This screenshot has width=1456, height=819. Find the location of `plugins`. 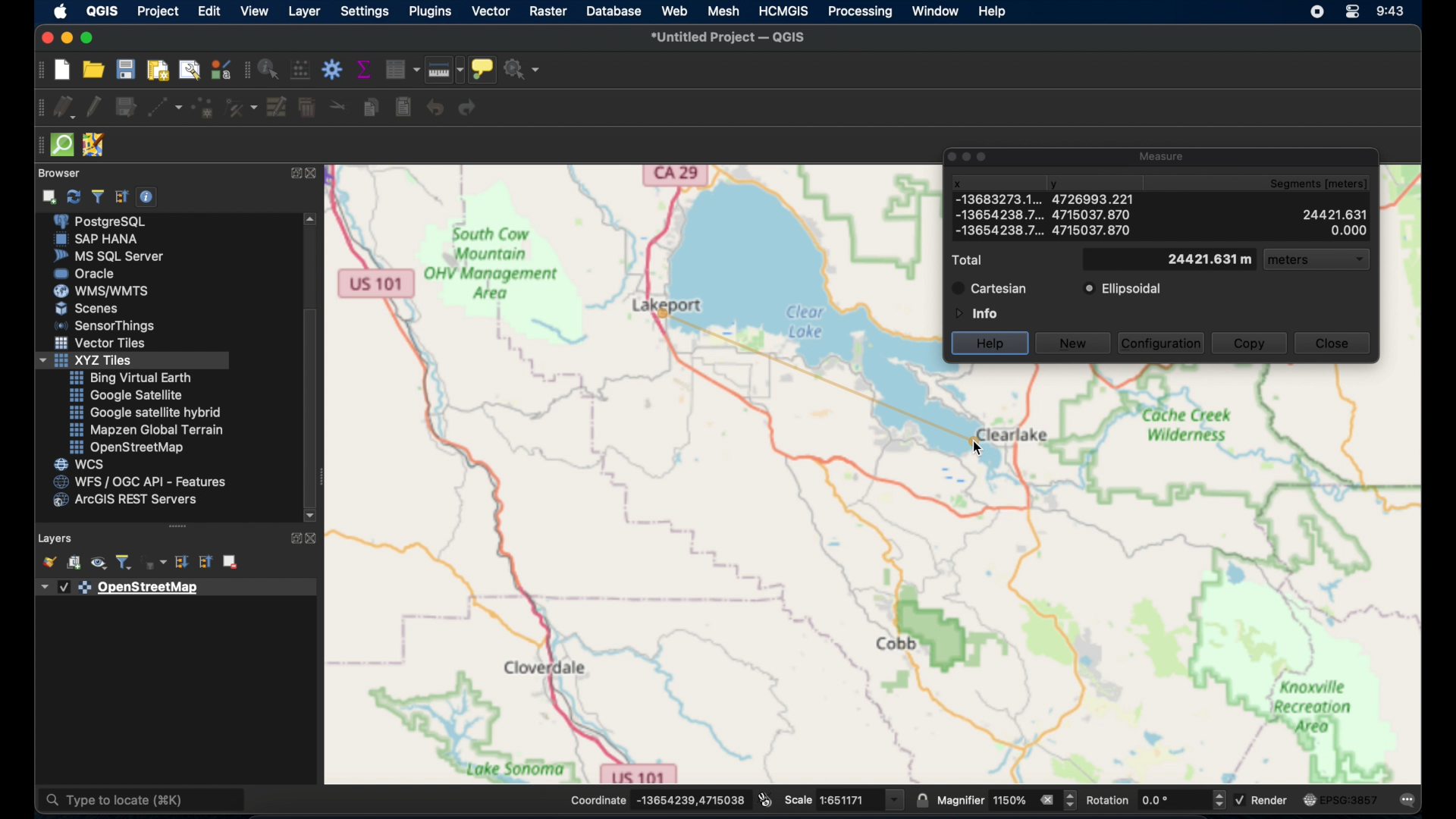

plugins is located at coordinates (431, 11).